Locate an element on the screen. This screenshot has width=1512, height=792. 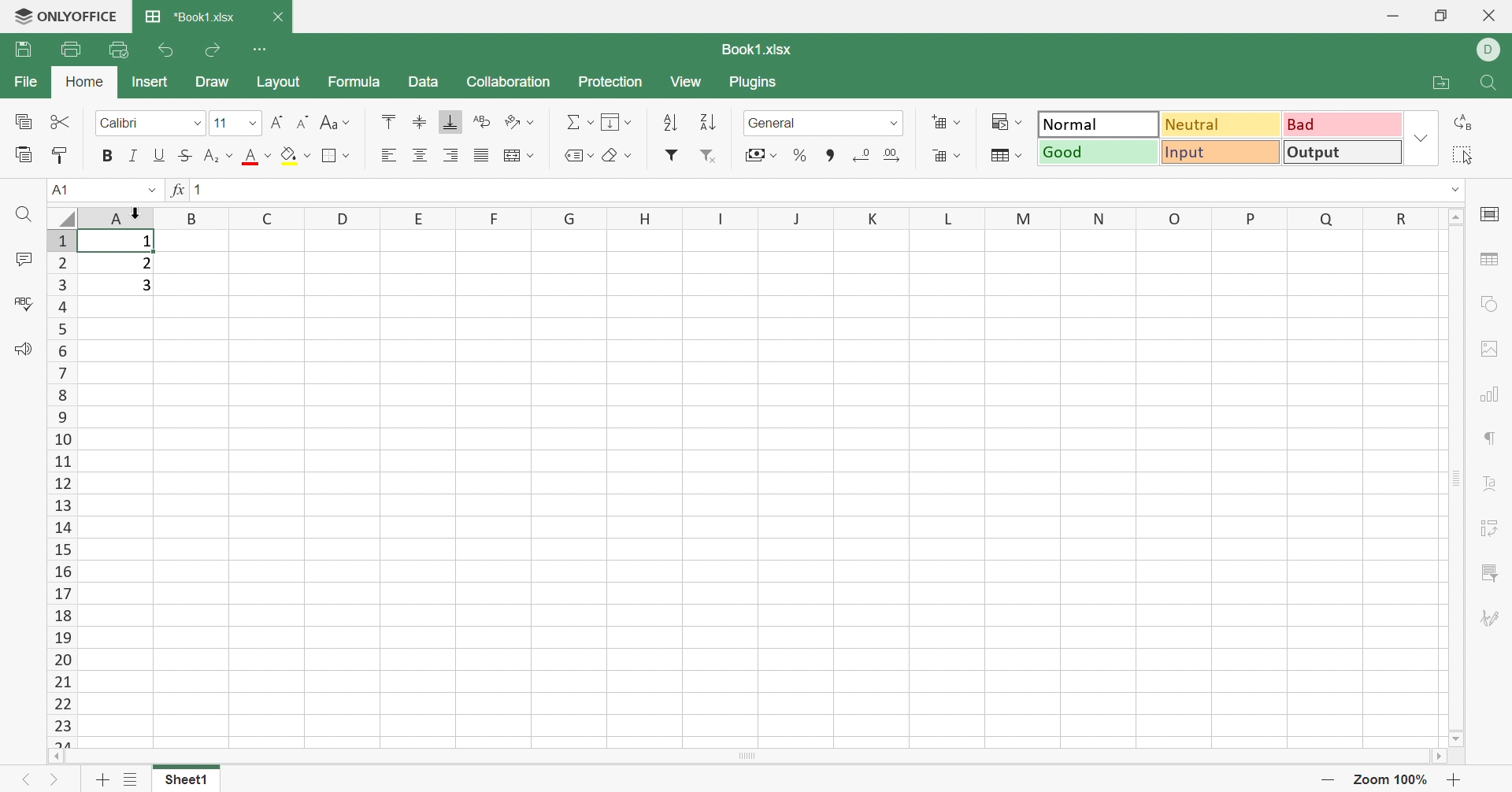
Sort descending is located at coordinates (707, 122).